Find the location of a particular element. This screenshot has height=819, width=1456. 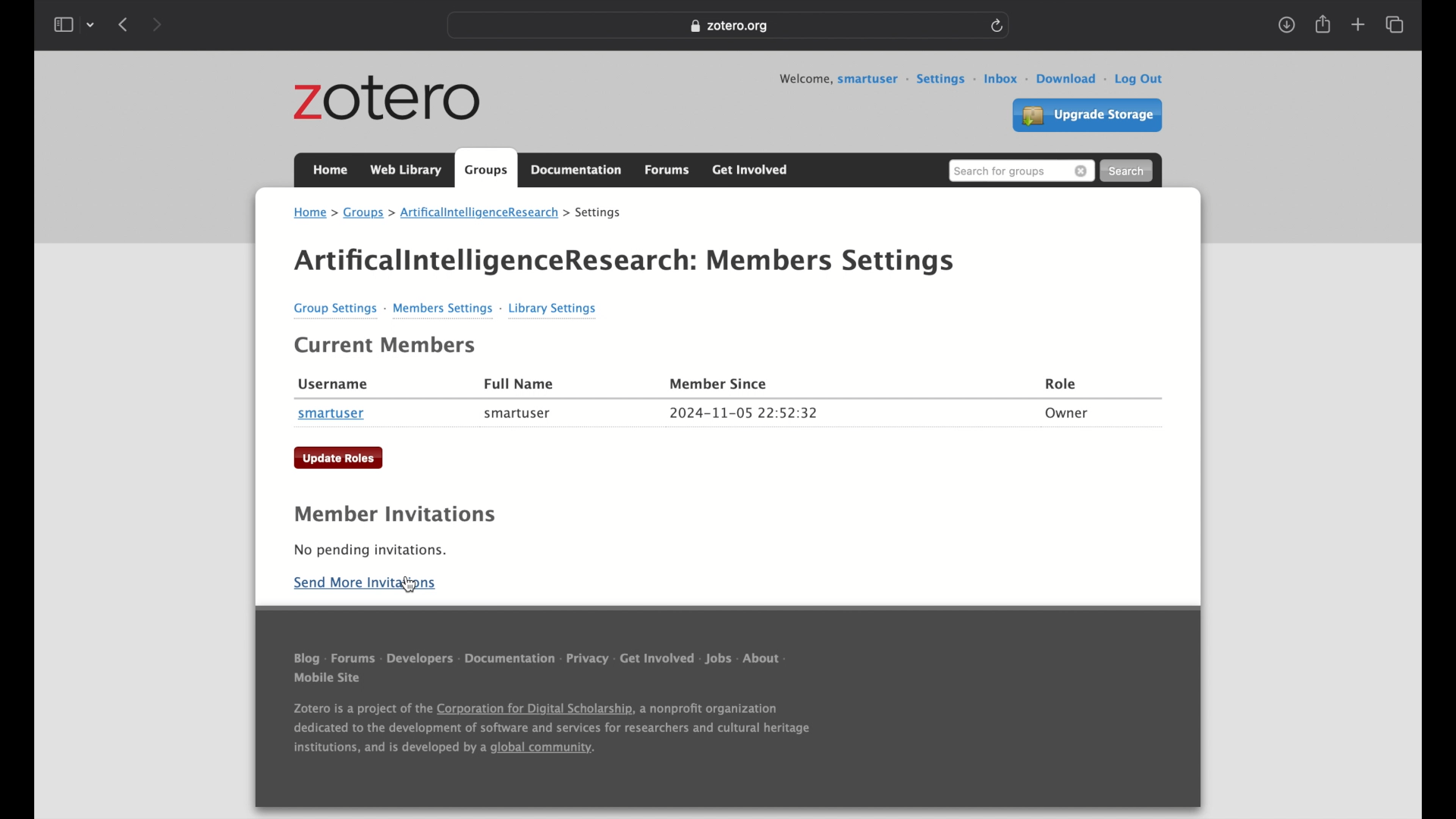

web library is located at coordinates (406, 170).